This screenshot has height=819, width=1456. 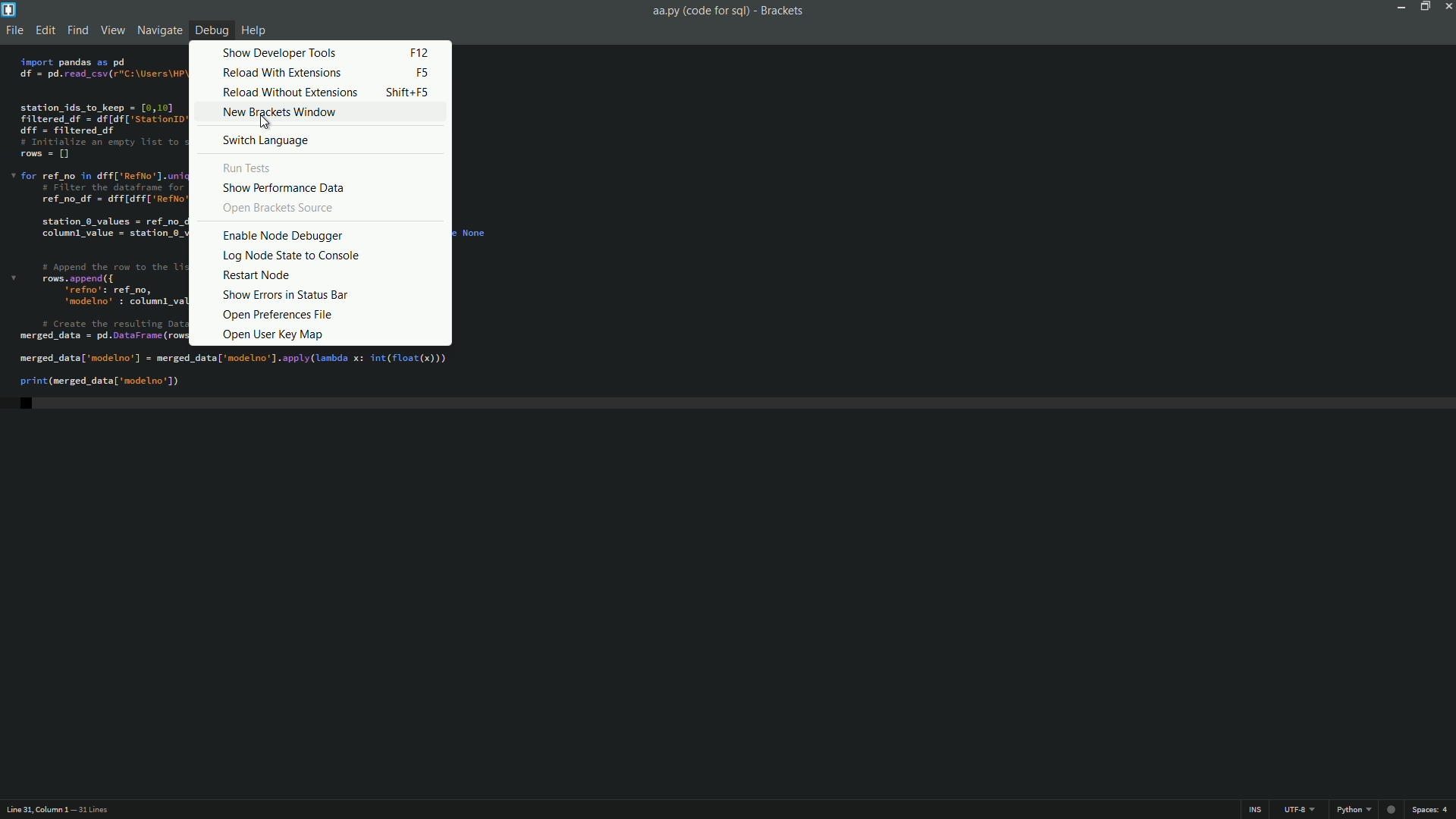 I want to click on circle, so click(x=1392, y=809).